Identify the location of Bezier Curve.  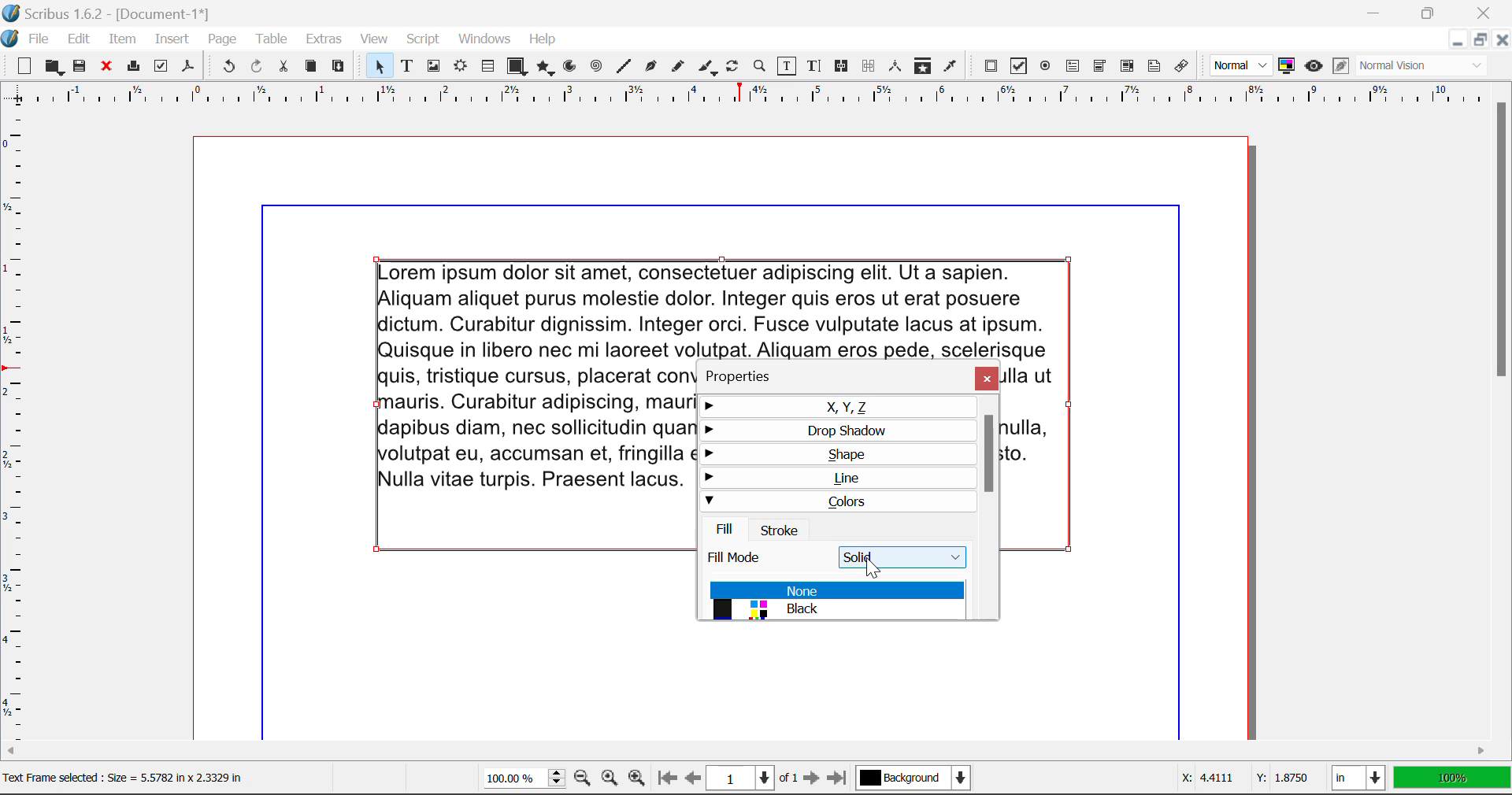
(651, 68).